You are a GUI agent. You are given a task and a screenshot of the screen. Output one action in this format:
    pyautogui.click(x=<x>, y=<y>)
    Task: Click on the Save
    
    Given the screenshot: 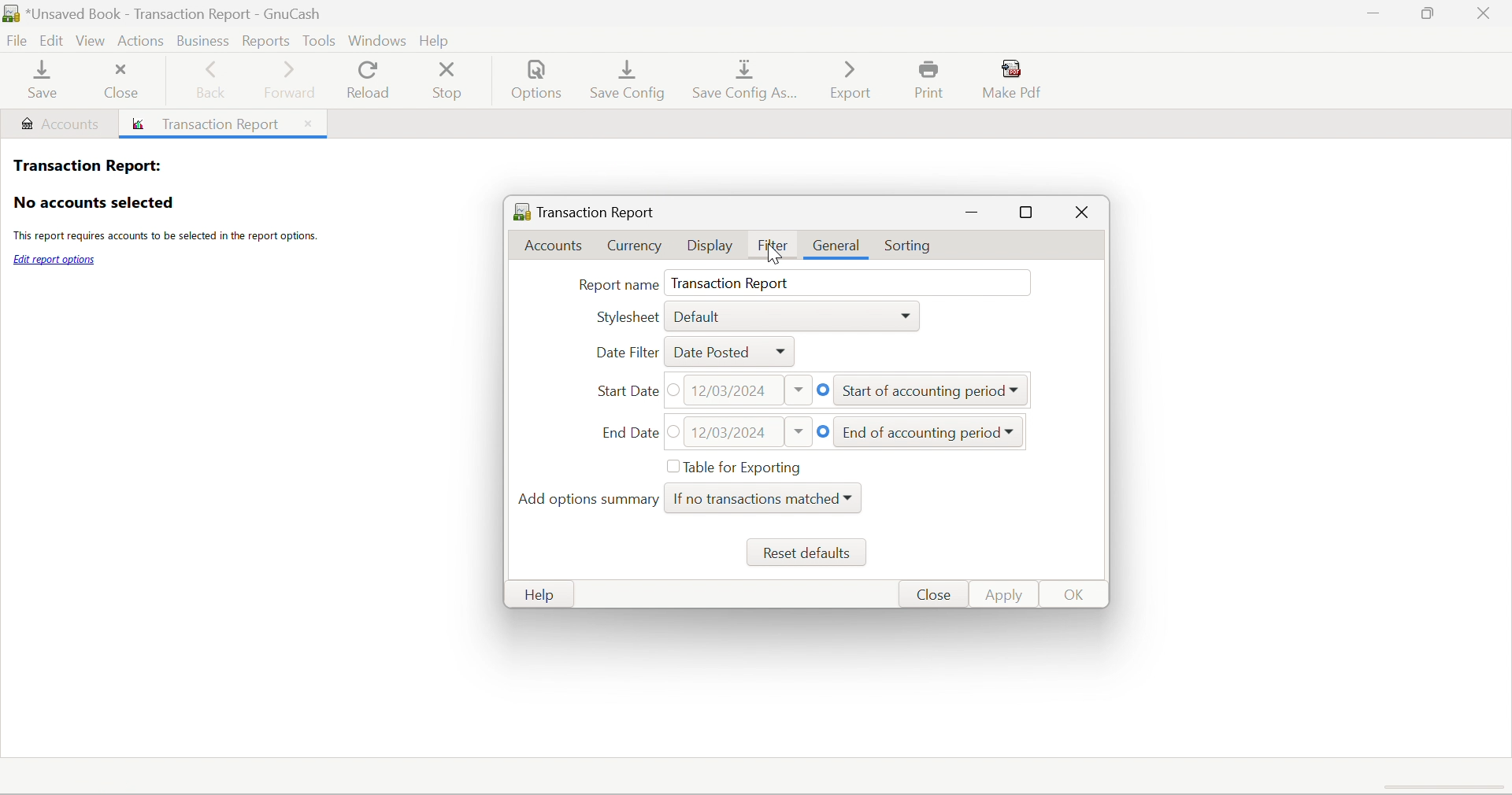 What is the action you would take?
    pyautogui.click(x=39, y=82)
    